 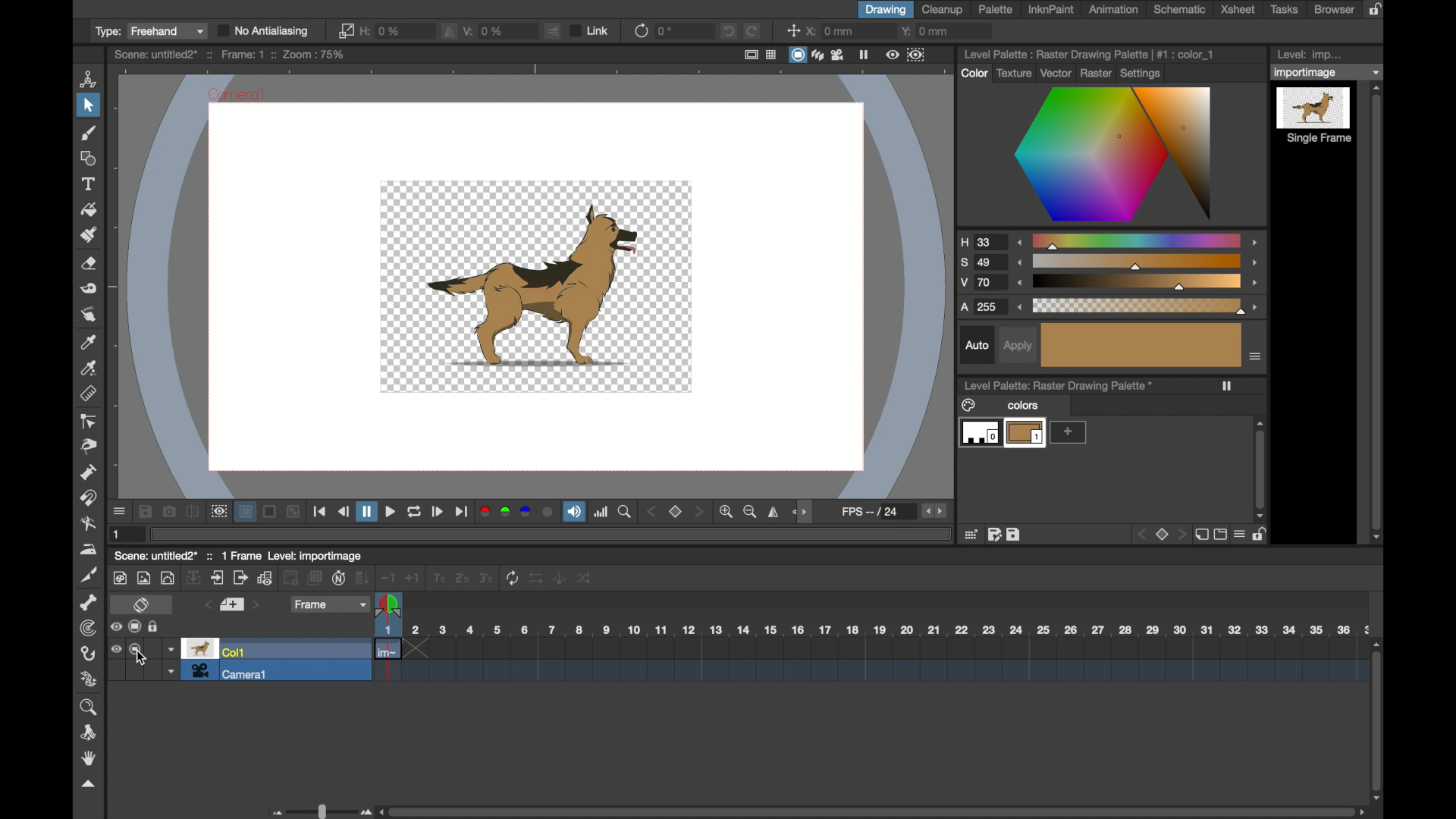 I want to click on vector, so click(x=1053, y=72).